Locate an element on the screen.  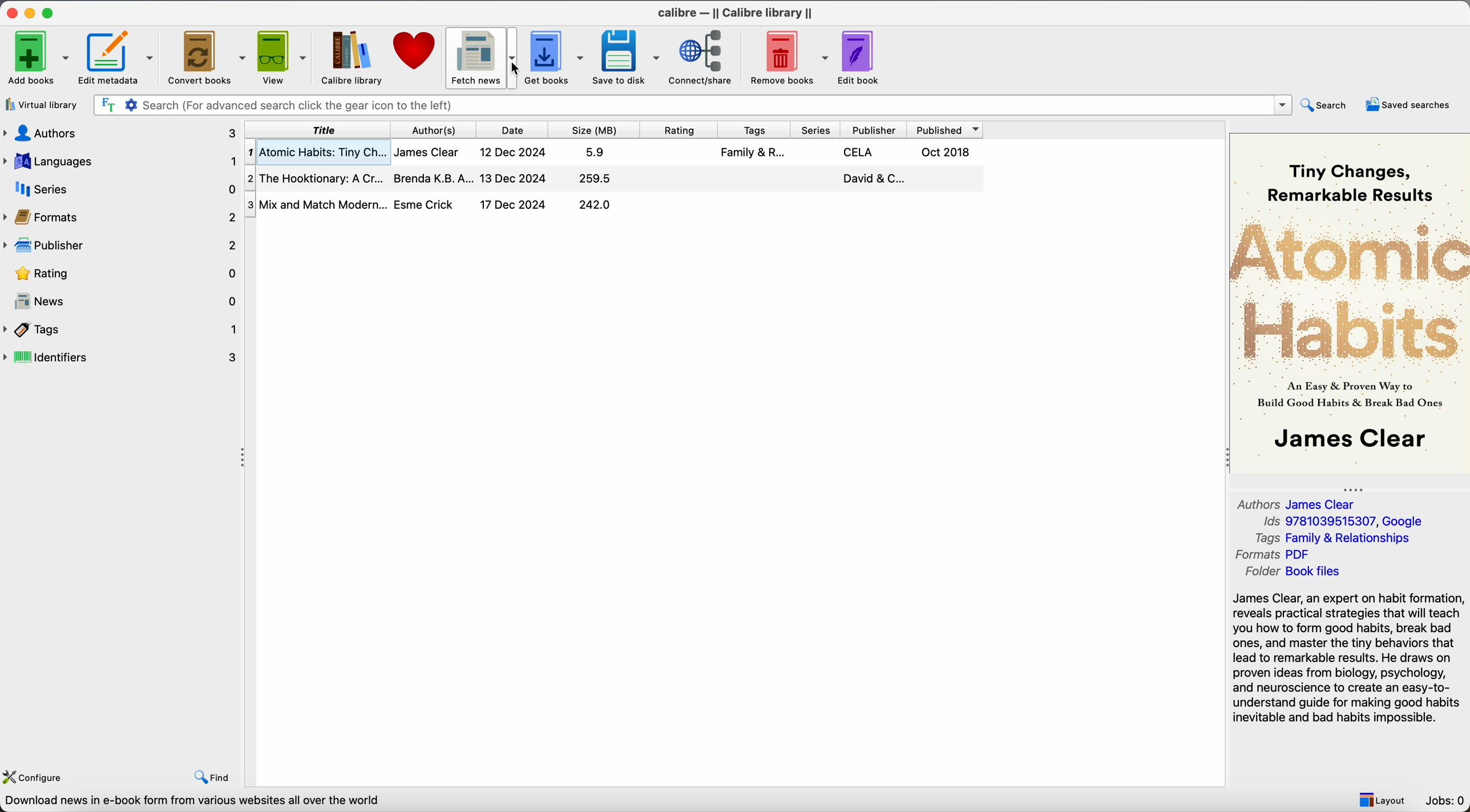
Ids 9781039515307, Google is located at coordinates (1347, 522).